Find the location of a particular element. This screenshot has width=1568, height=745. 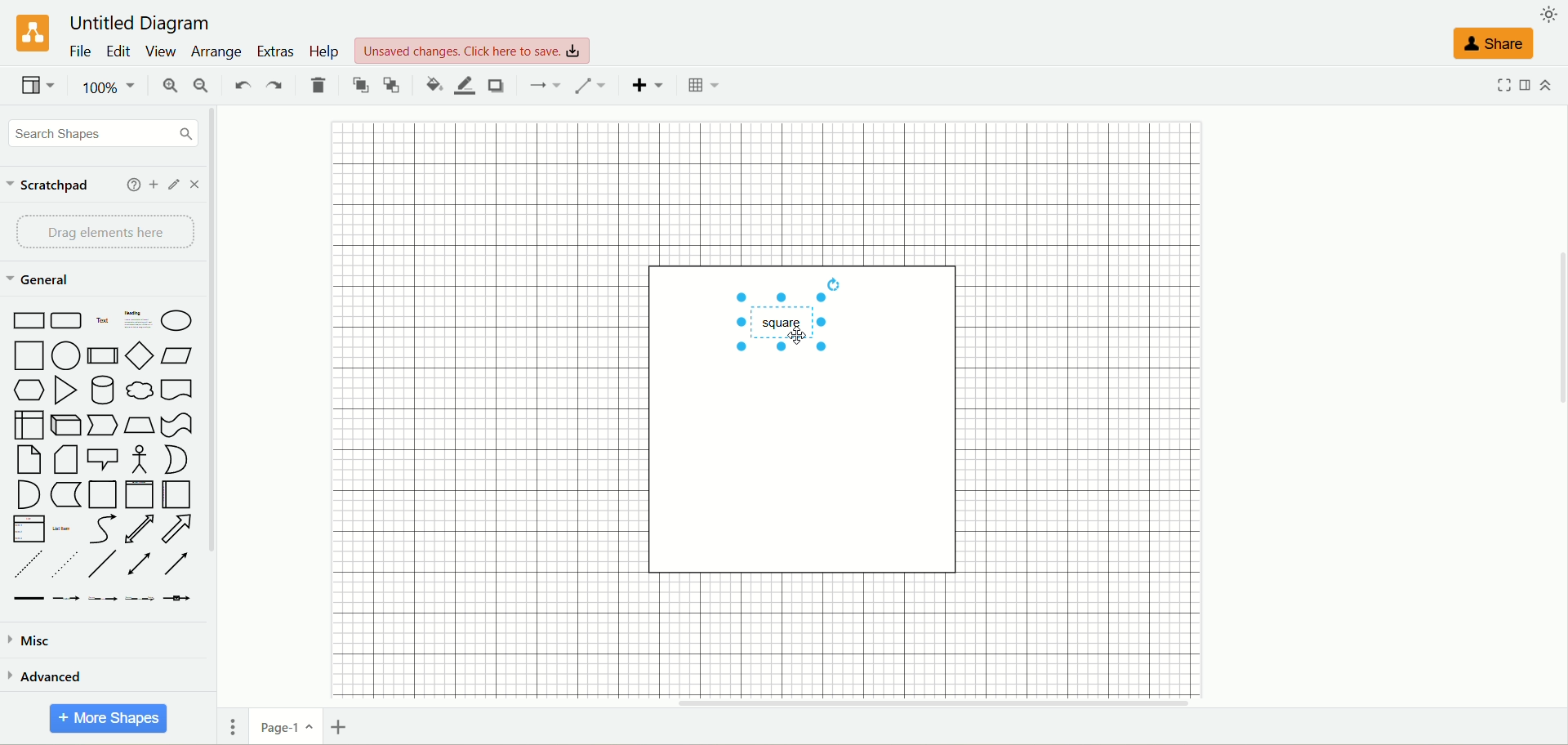

delete is located at coordinates (316, 85).